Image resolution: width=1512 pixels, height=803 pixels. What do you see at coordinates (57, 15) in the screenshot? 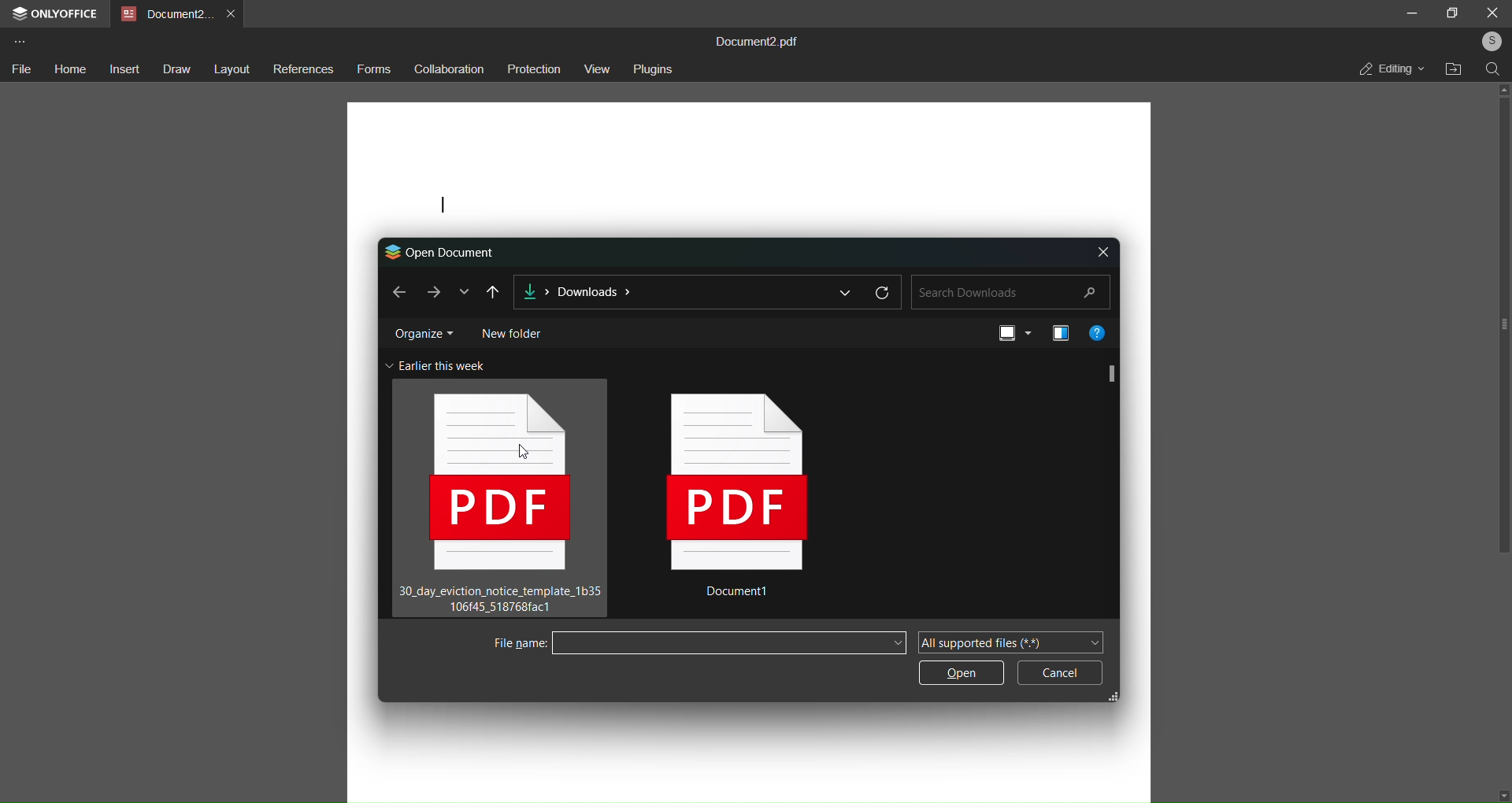
I see `onlyoffice` at bounding box center [57, 15].